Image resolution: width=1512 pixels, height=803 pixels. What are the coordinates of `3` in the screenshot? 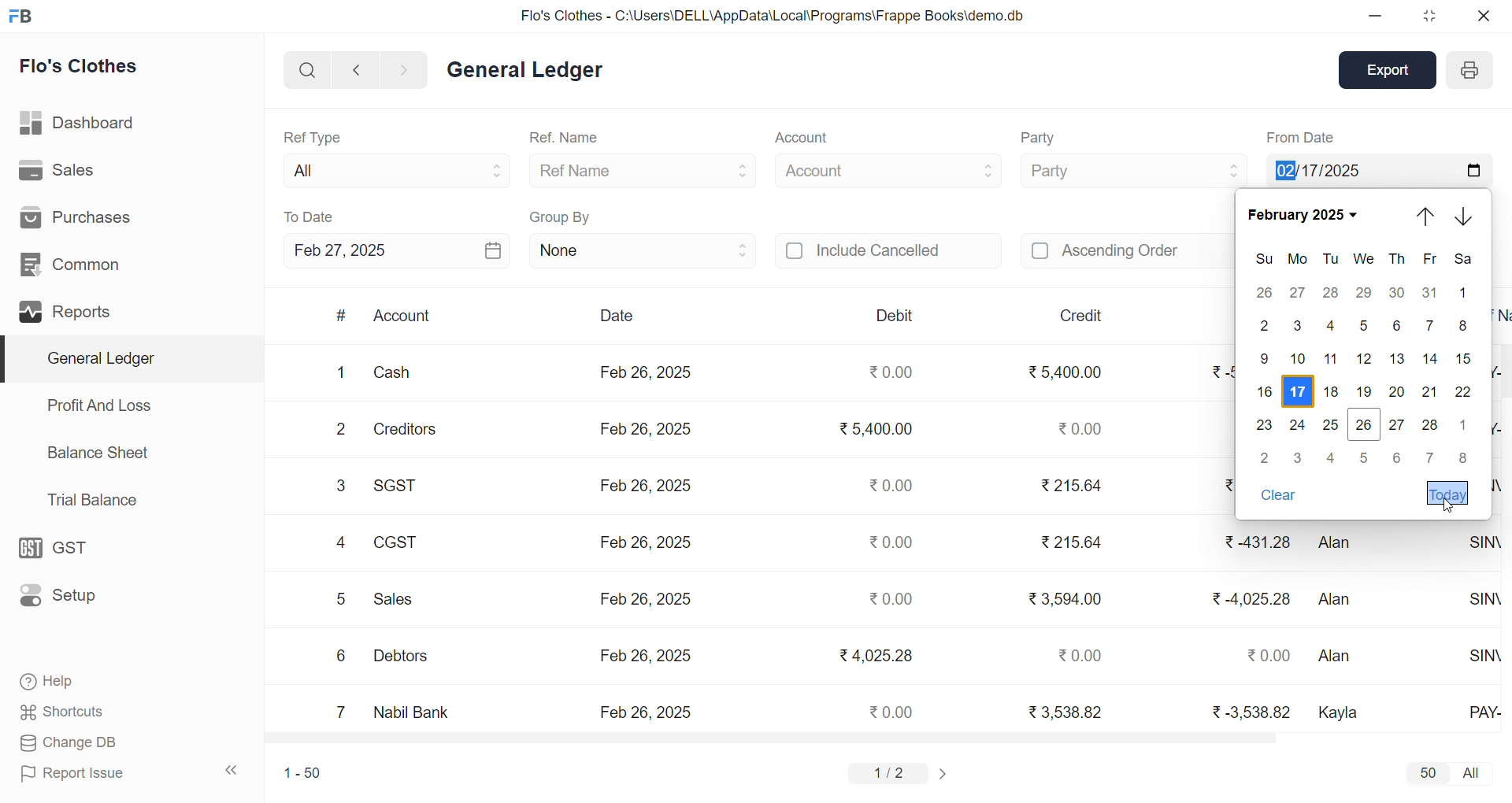 It's located at (1299, 326).